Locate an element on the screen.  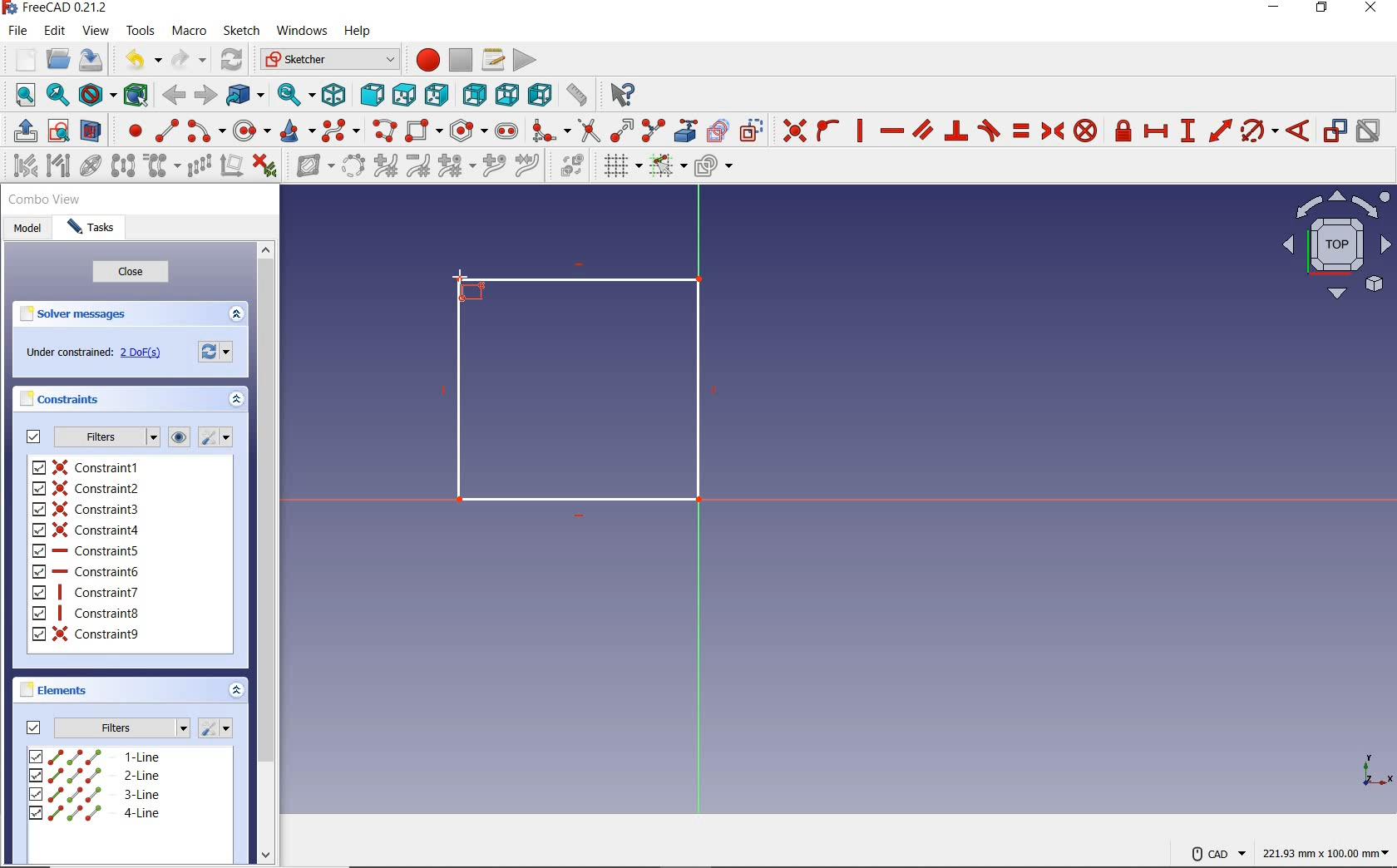
create point is located at coordinates (129, 131).